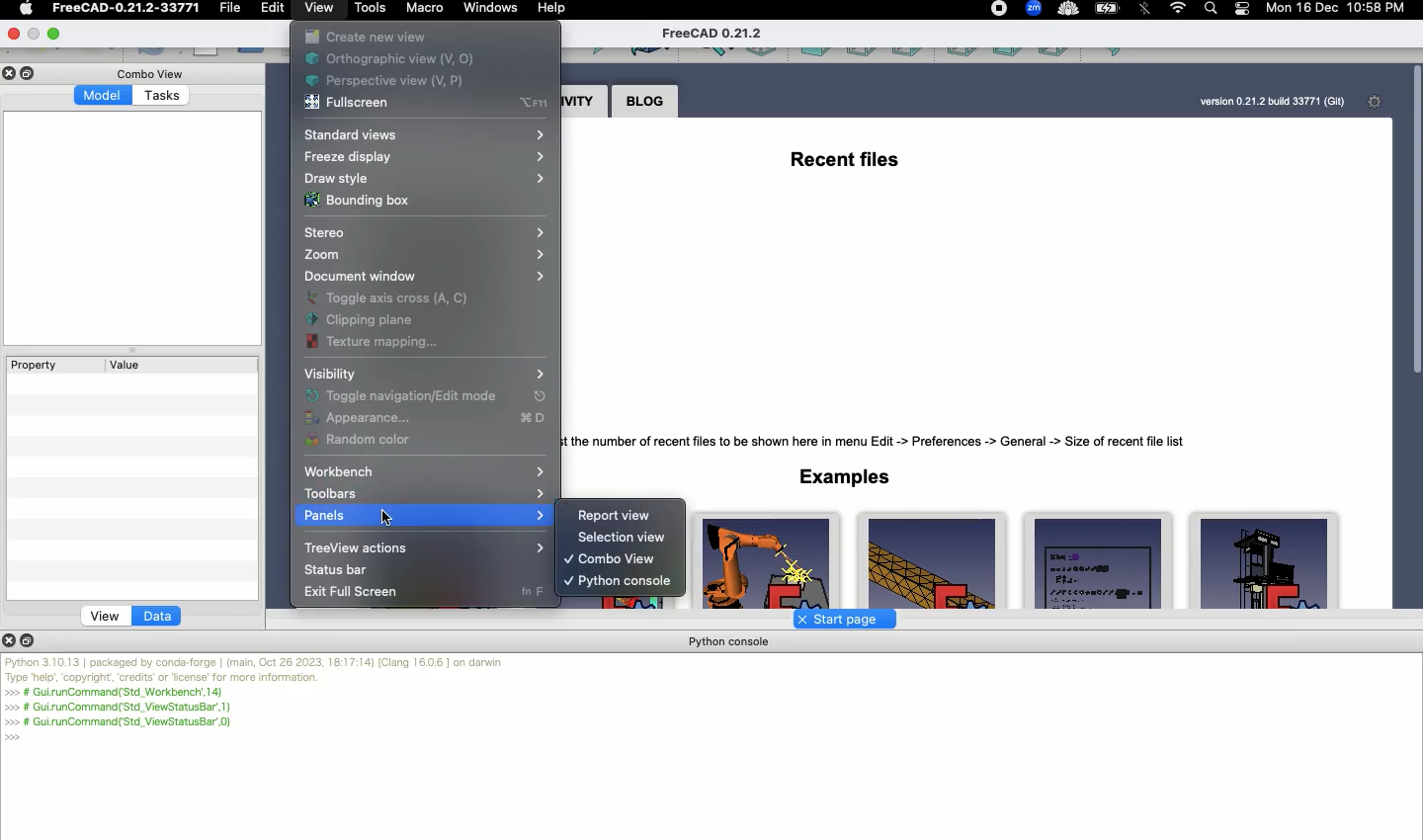 Image resolution: width=1423 pixels, height=840 pixels. What do you see at coordinates (423, 136) in the screenshot?
I see `Standard views` at bounding box center [423, 136].